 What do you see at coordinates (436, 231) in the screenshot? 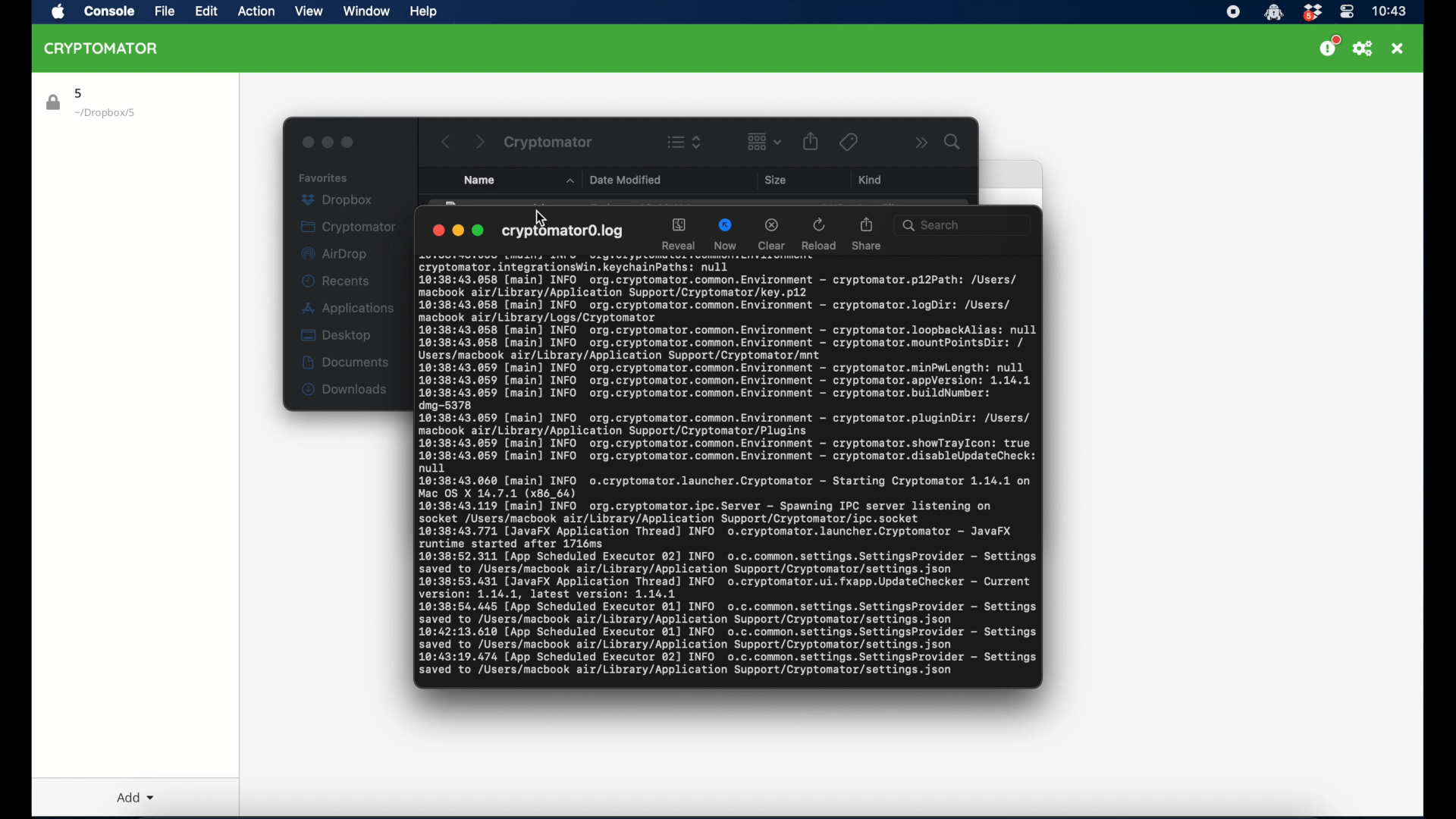
I see `close` at bounding box center [436, 231].